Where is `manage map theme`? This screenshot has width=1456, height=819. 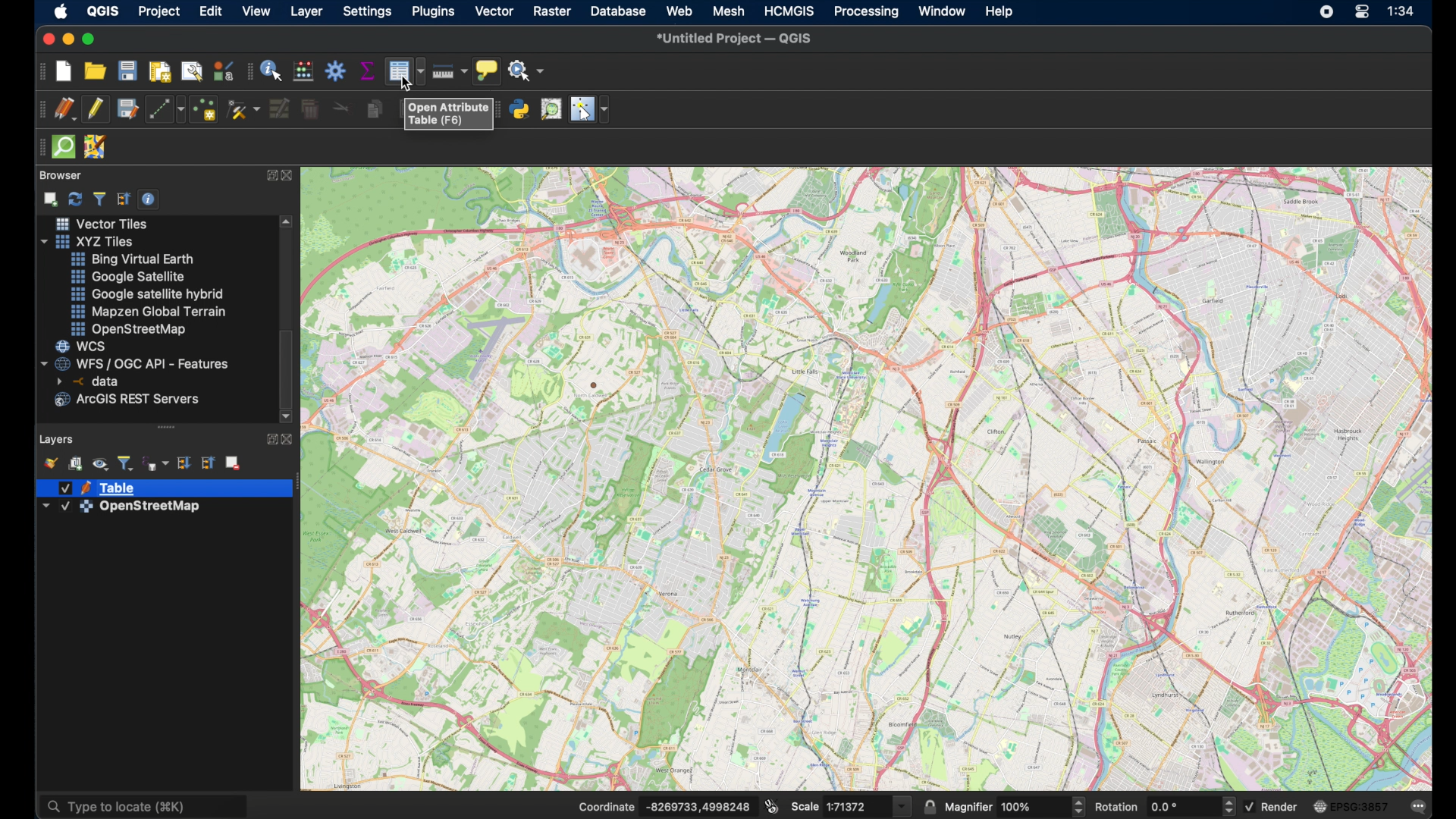 manage map theme is located at coordinates (101, 463).